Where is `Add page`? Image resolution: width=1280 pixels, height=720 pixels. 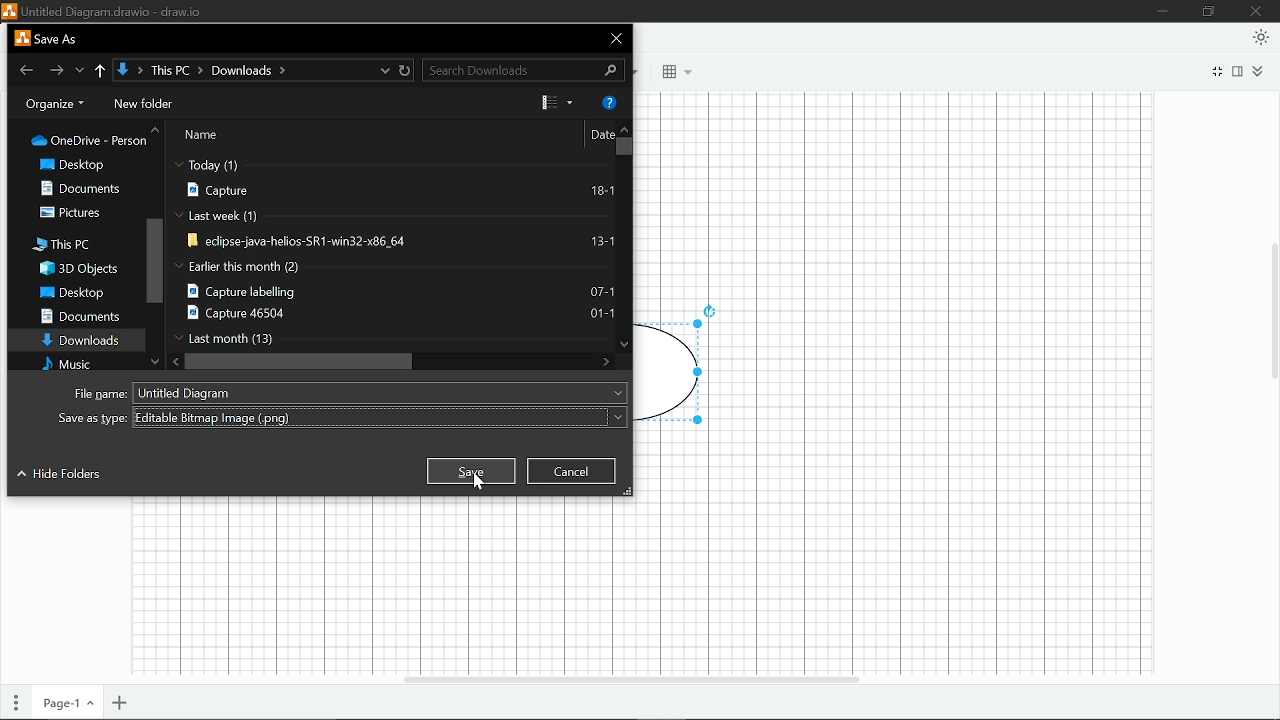
Add page is located at coordinates (121, 701).